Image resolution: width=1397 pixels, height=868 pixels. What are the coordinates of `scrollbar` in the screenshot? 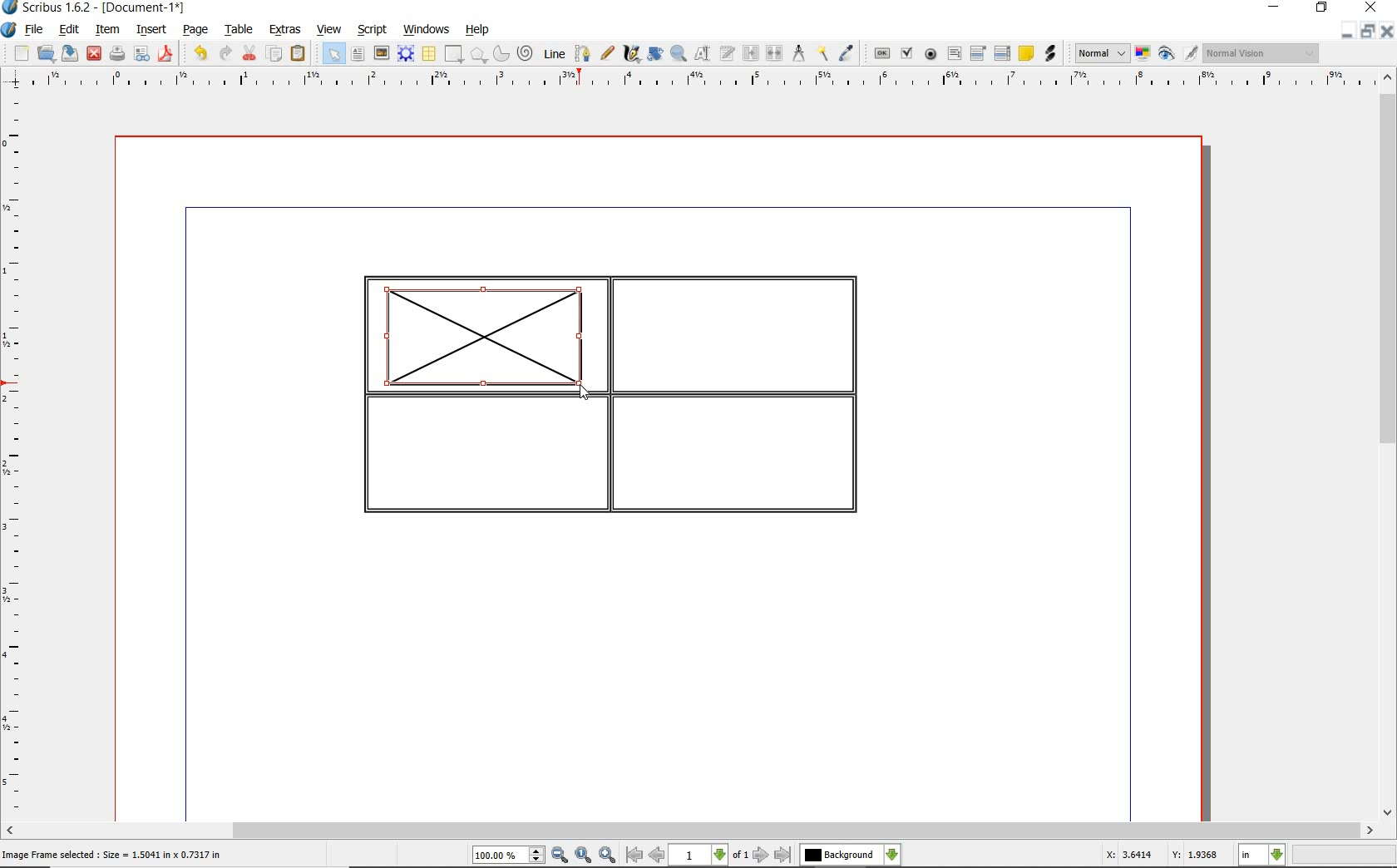 It's located at (689, 831).